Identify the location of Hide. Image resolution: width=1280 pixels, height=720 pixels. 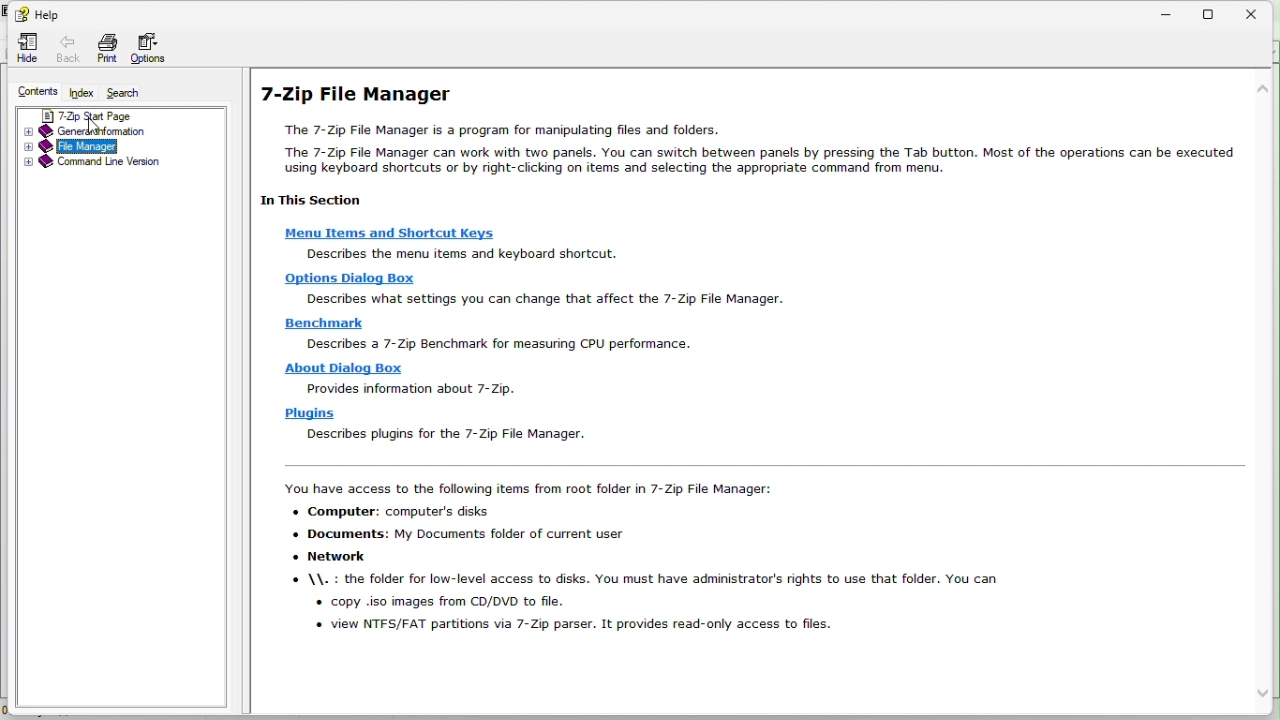
(19, 48).